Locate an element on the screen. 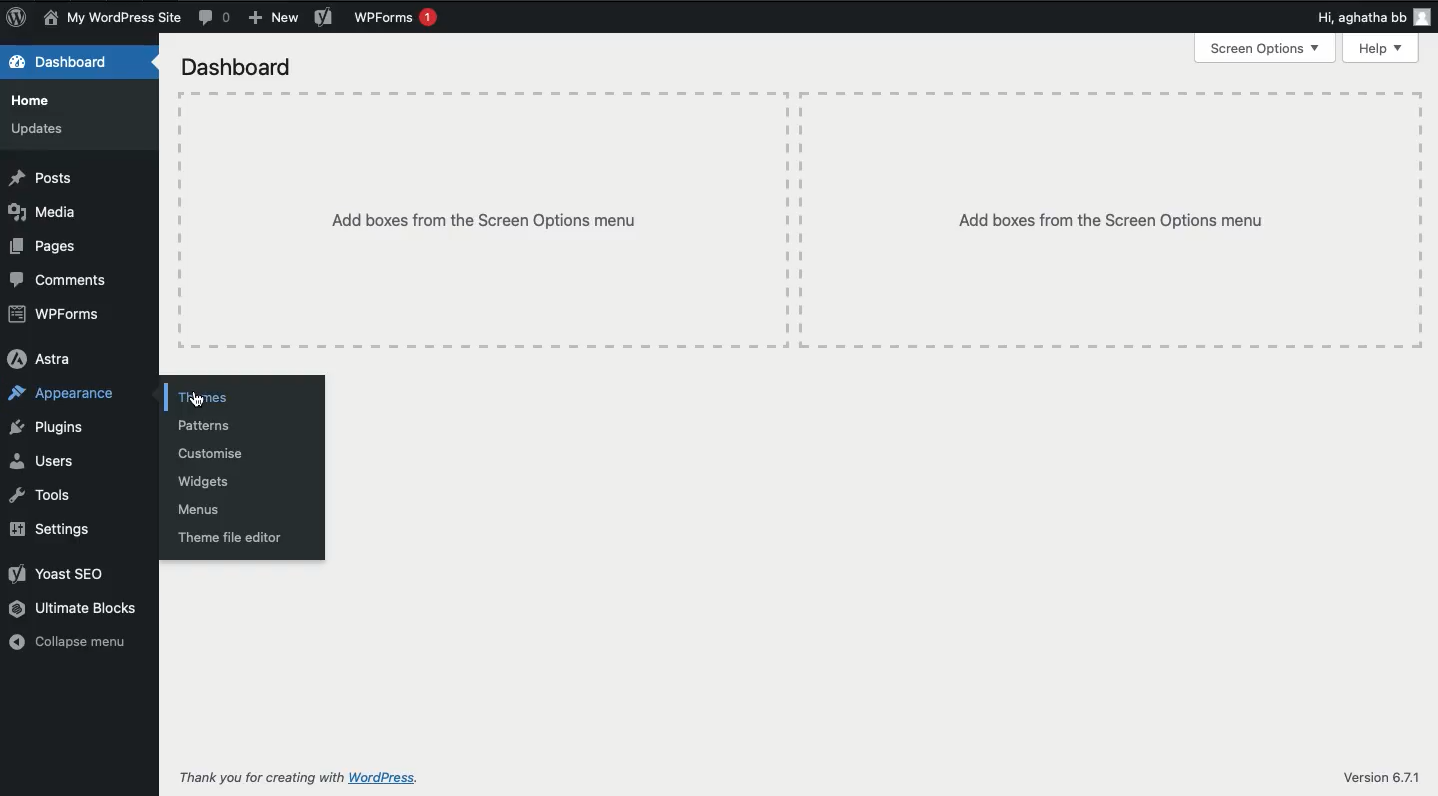 The image size is (1438, 796). Users is located at coordinates (41, 462).